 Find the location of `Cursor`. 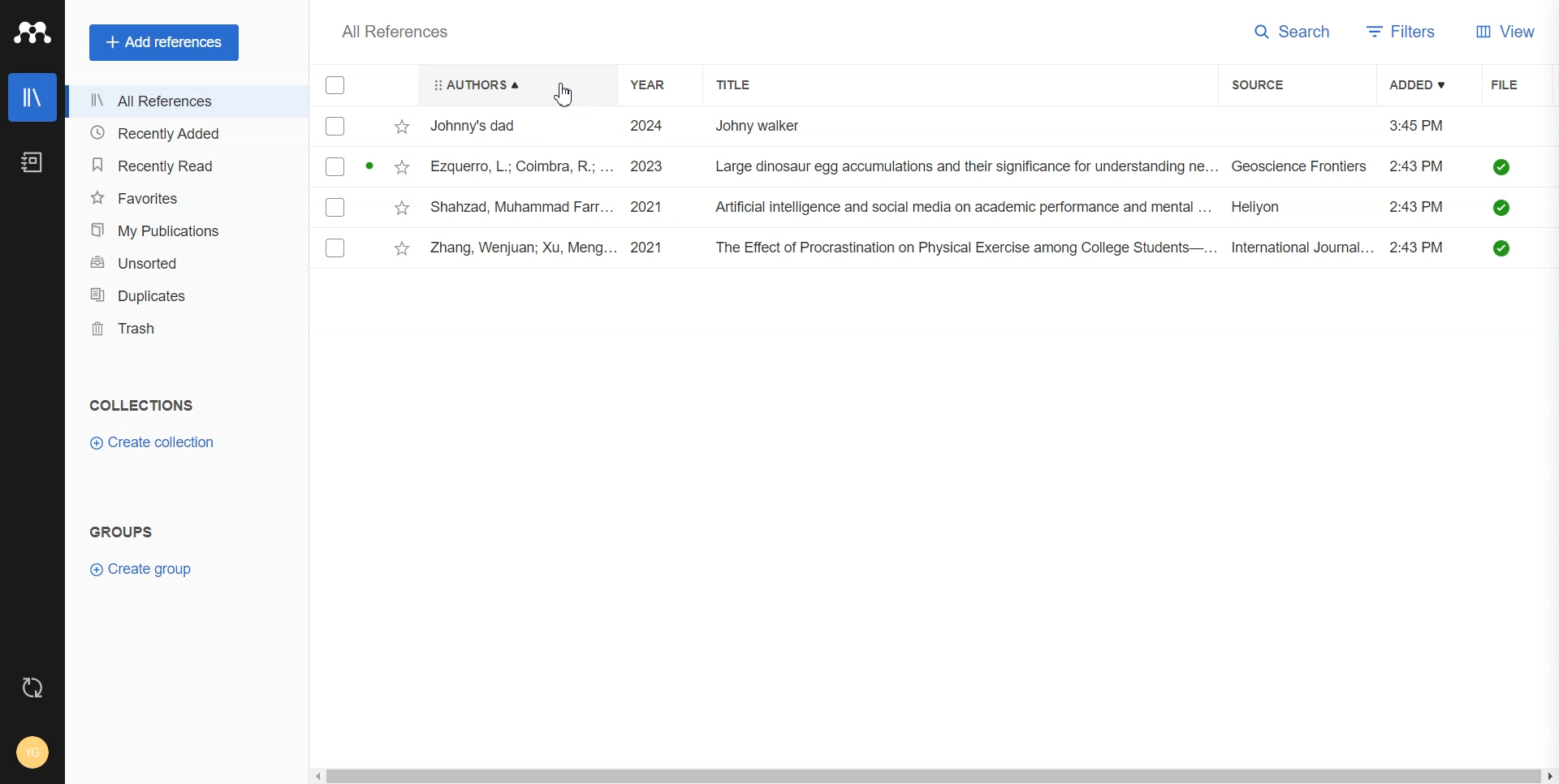

Cursor is located at coordinates (564, 97).